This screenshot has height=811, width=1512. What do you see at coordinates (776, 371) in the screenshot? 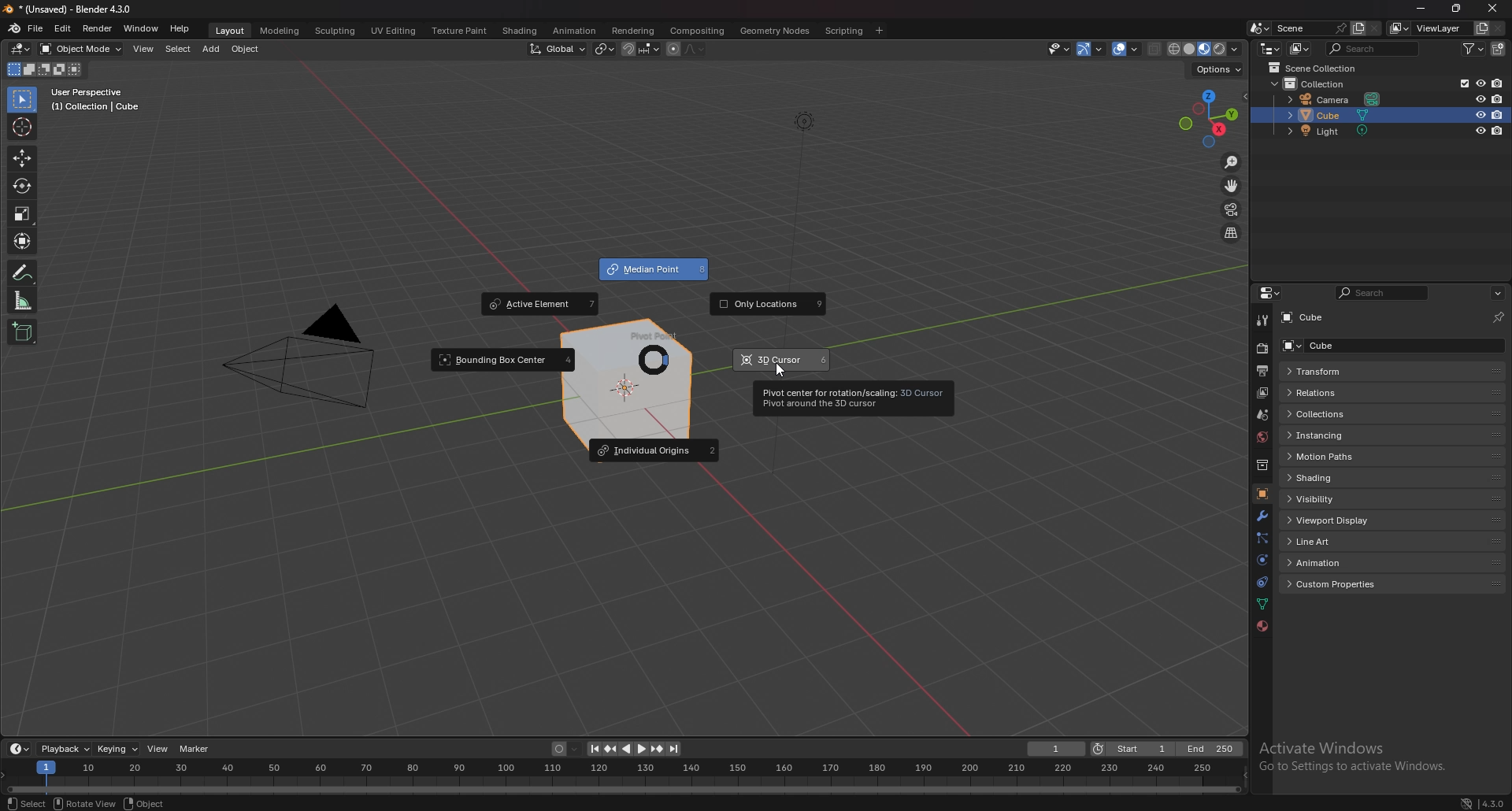
I see `cursor` at bounding box center [776, 371].